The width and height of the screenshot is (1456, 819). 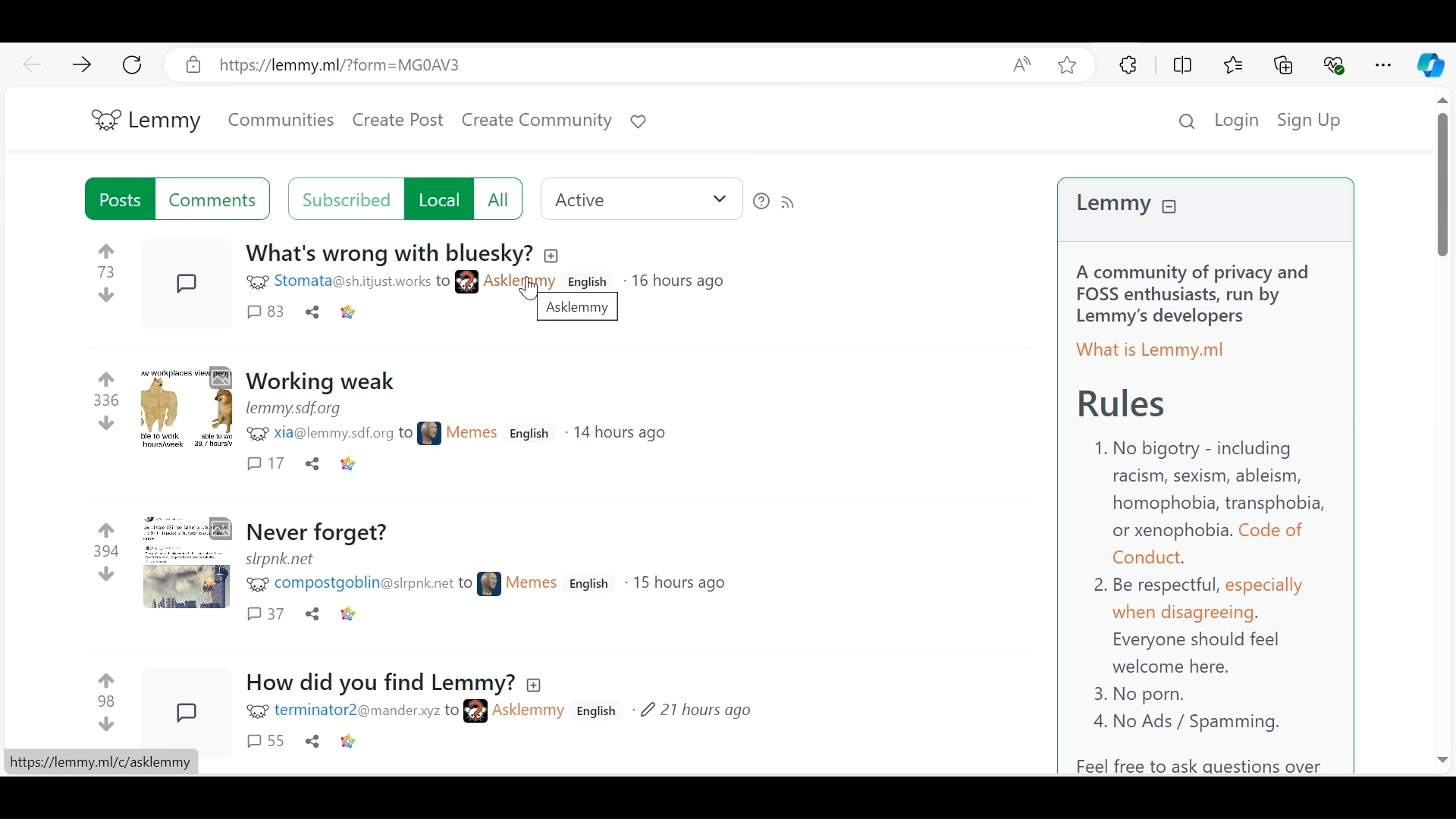 What do you see at coordinates (1235, 67) in the screenshot?
I see `Favorites` at bounding box center [1235, 67].